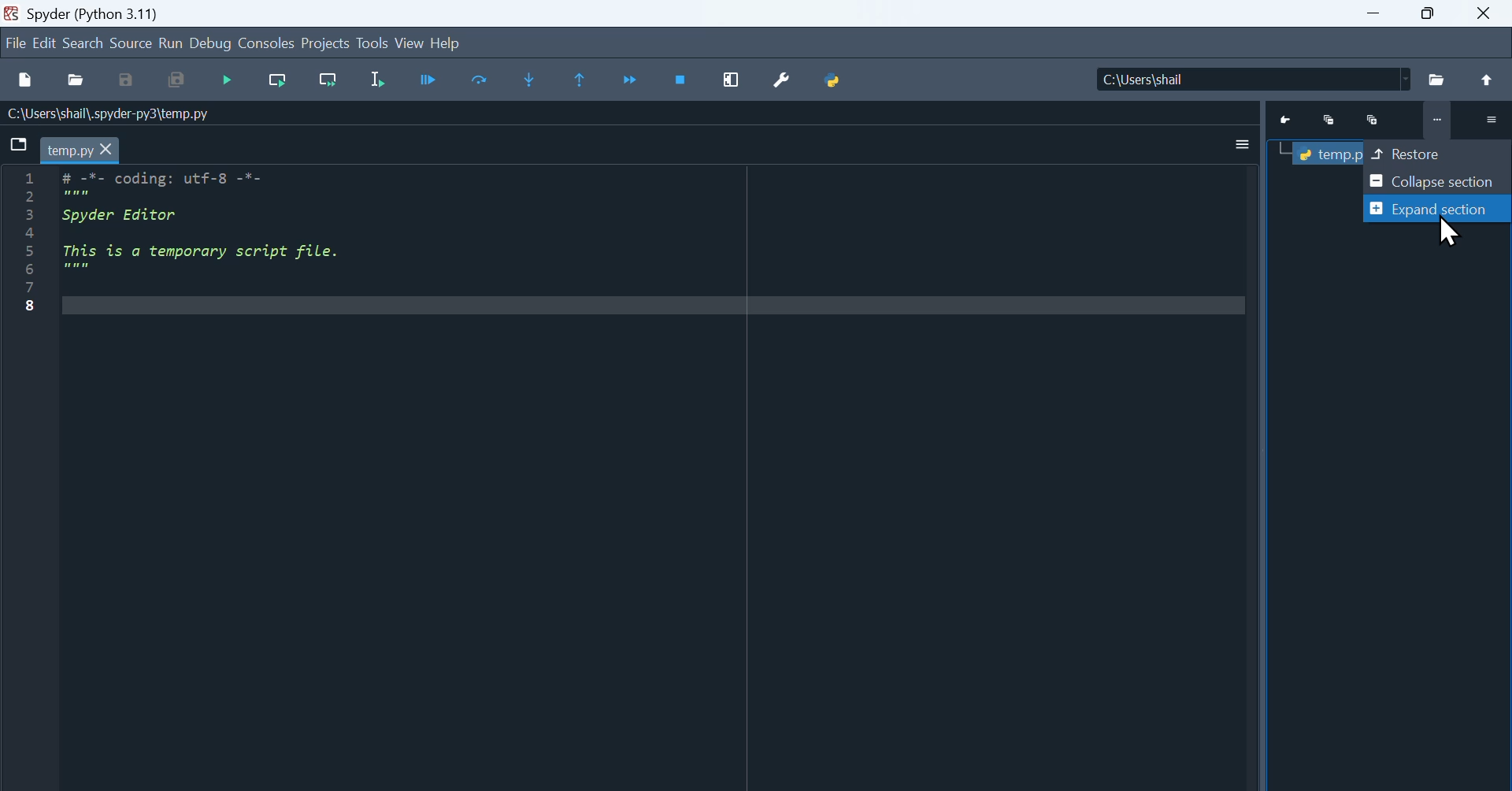 The height and width of the screenshot is (791, 1512). What do you see at coordinates (265, 44) in the screenshot?
I see `Consoles` at bounding box center [265, 44].